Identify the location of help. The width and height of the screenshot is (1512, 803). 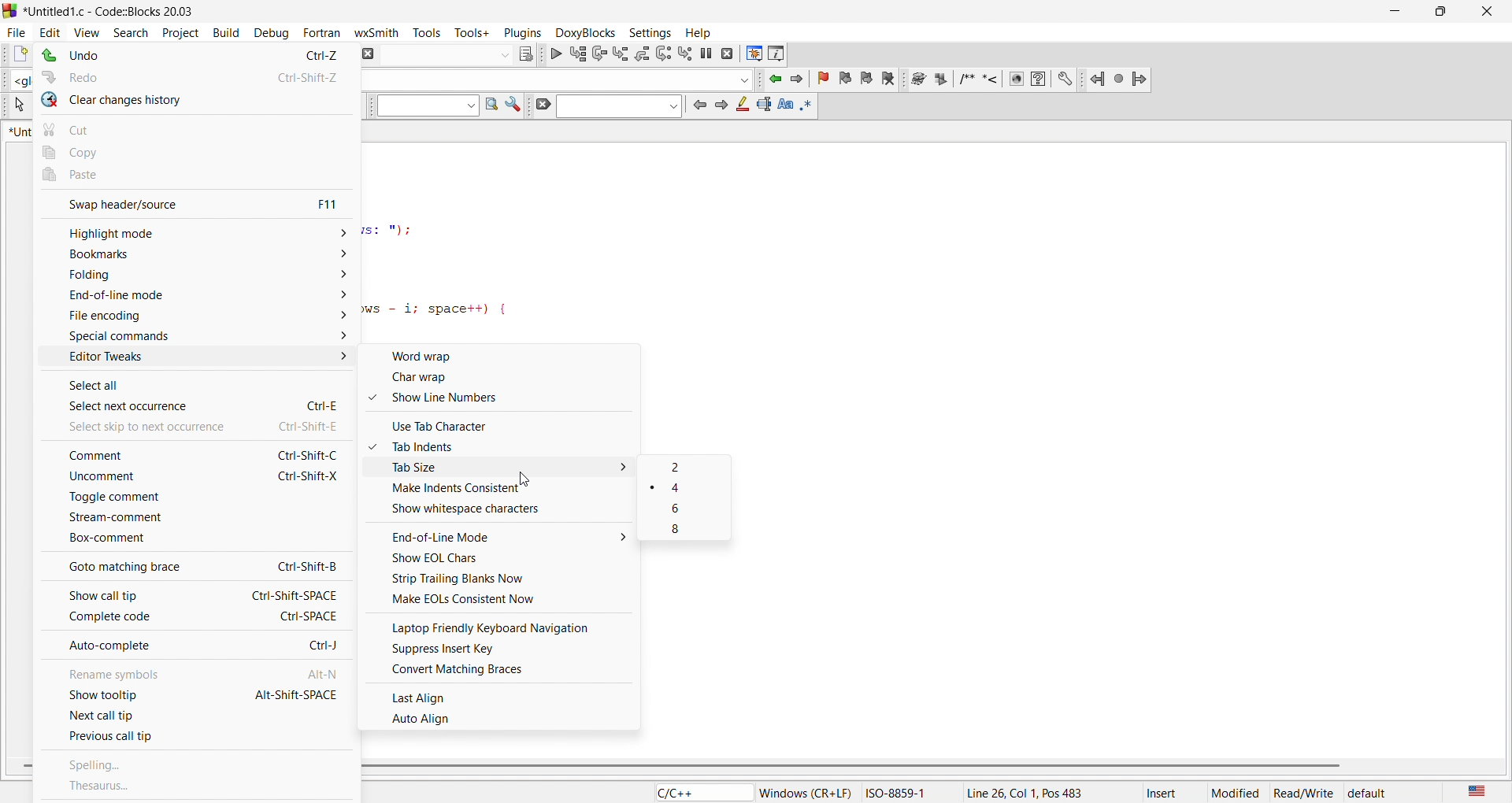
(702, 32).